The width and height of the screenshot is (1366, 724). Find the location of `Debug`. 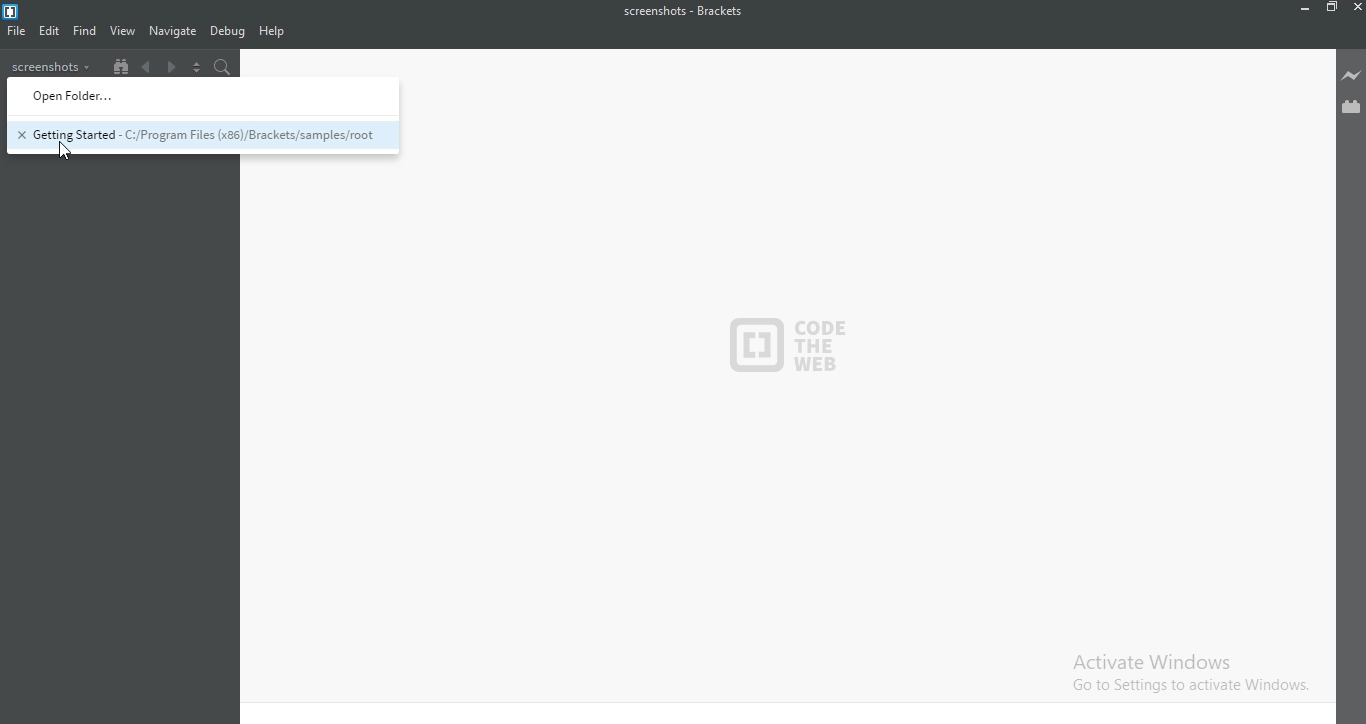

Debug is located at coordinates (228, 32).